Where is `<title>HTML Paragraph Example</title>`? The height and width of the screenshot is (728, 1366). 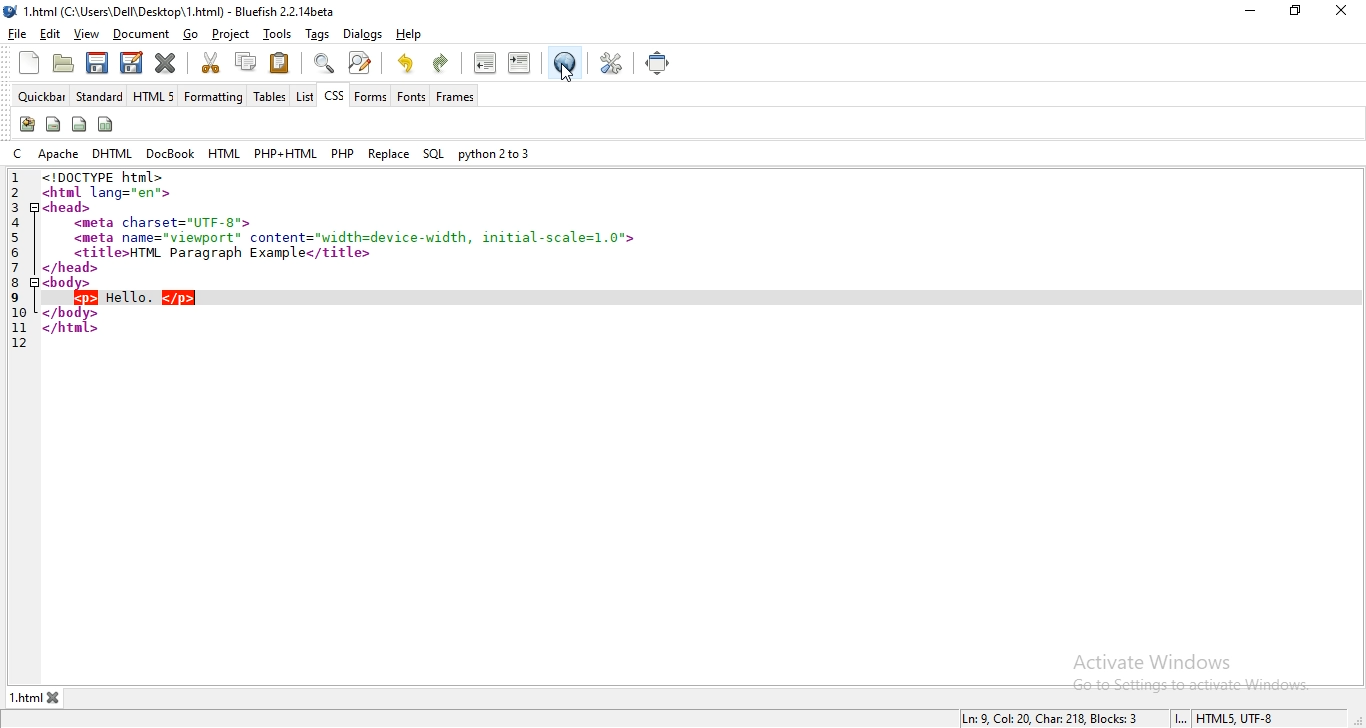 <title>HTML Paragraph Example</title> is located at coordinates (223, 253).